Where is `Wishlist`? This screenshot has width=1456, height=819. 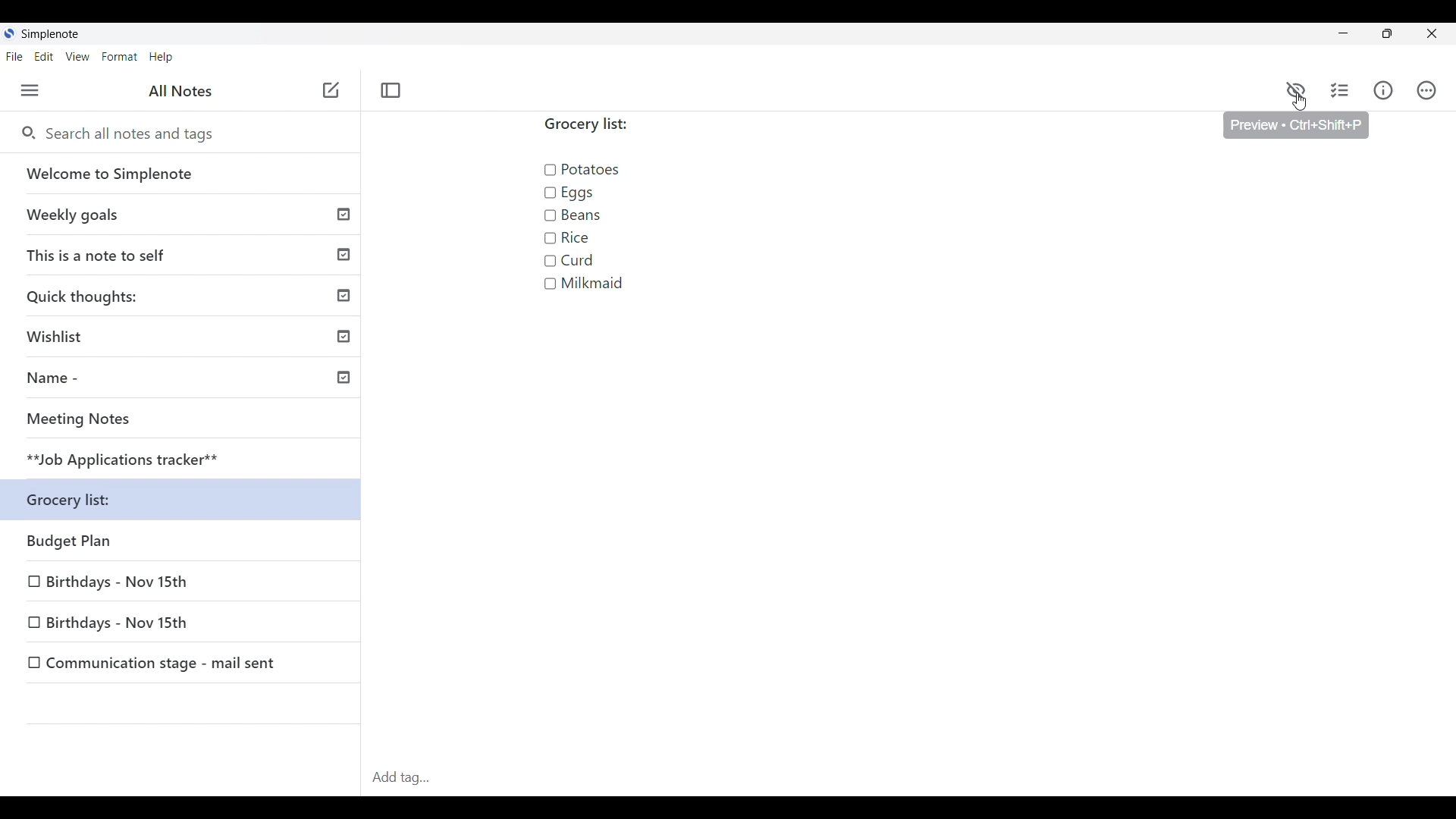 Wishlist is located at coordinates (186, 339).